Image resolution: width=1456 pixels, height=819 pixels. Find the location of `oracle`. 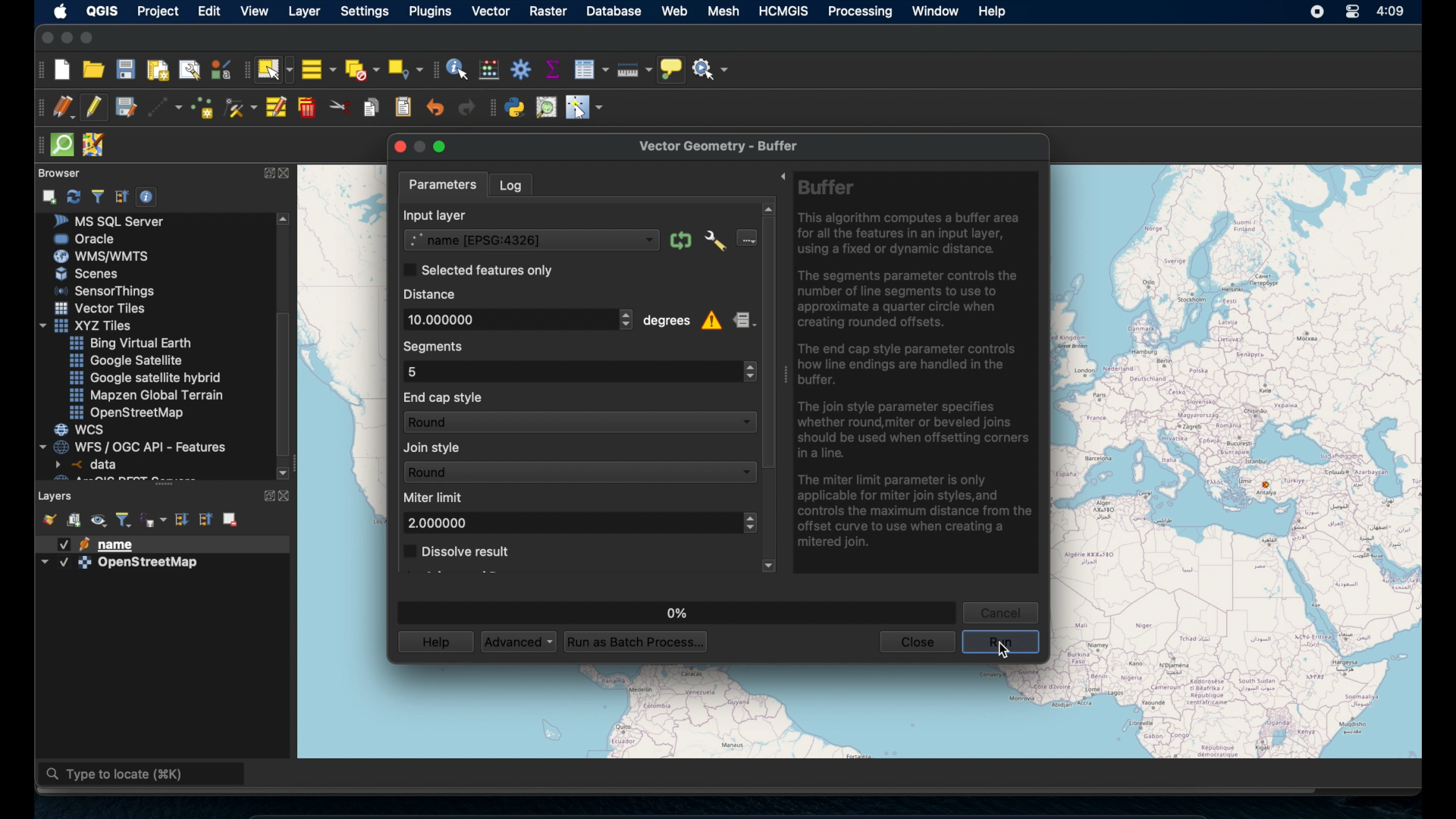

oracle is located at coordinates (86, 238).